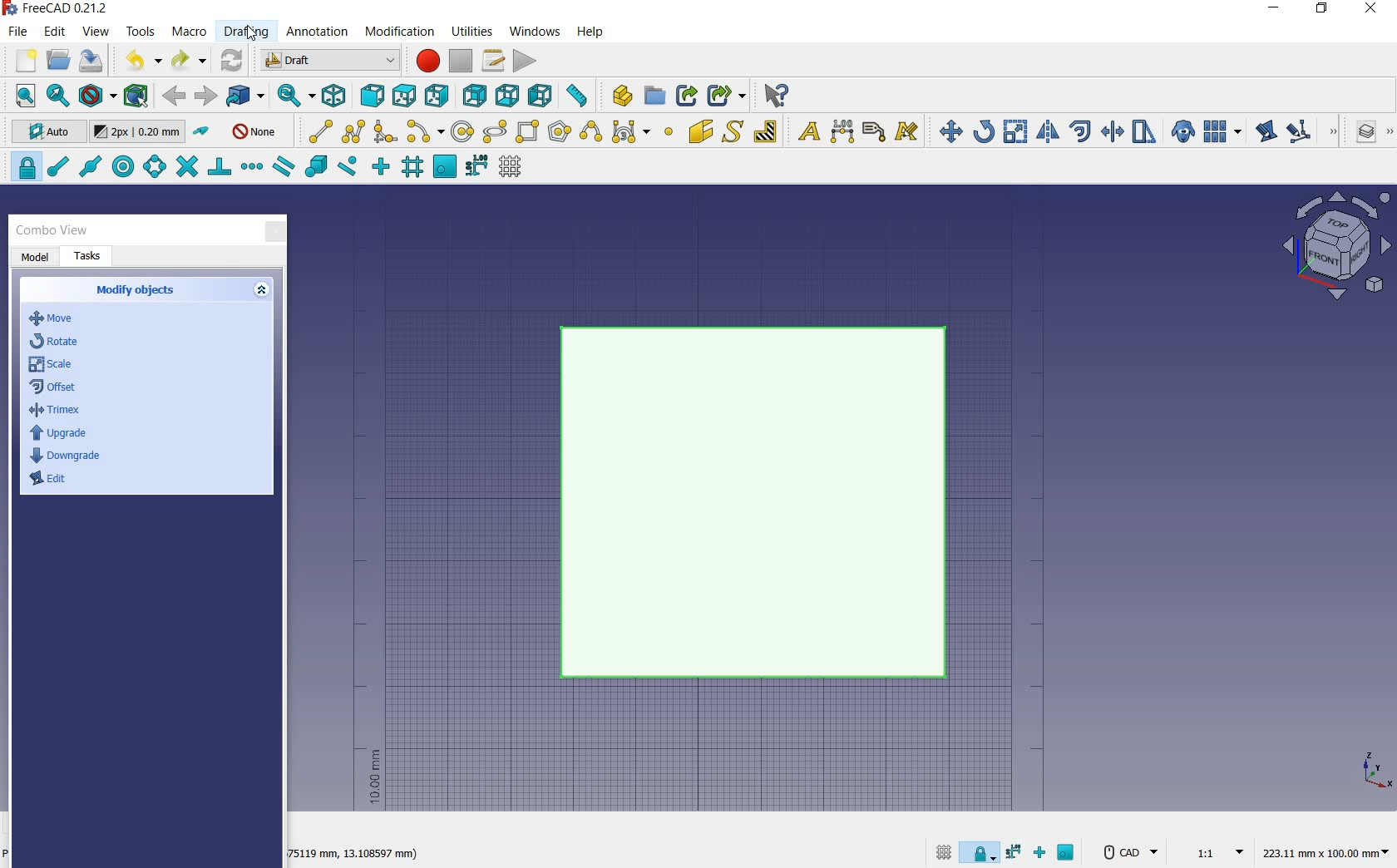 This screenshot has width=1397, height=868. What do you see at coordinates (381, 167) in the screenshot?
I see `snap ortho` at bounding box center [381, 167].